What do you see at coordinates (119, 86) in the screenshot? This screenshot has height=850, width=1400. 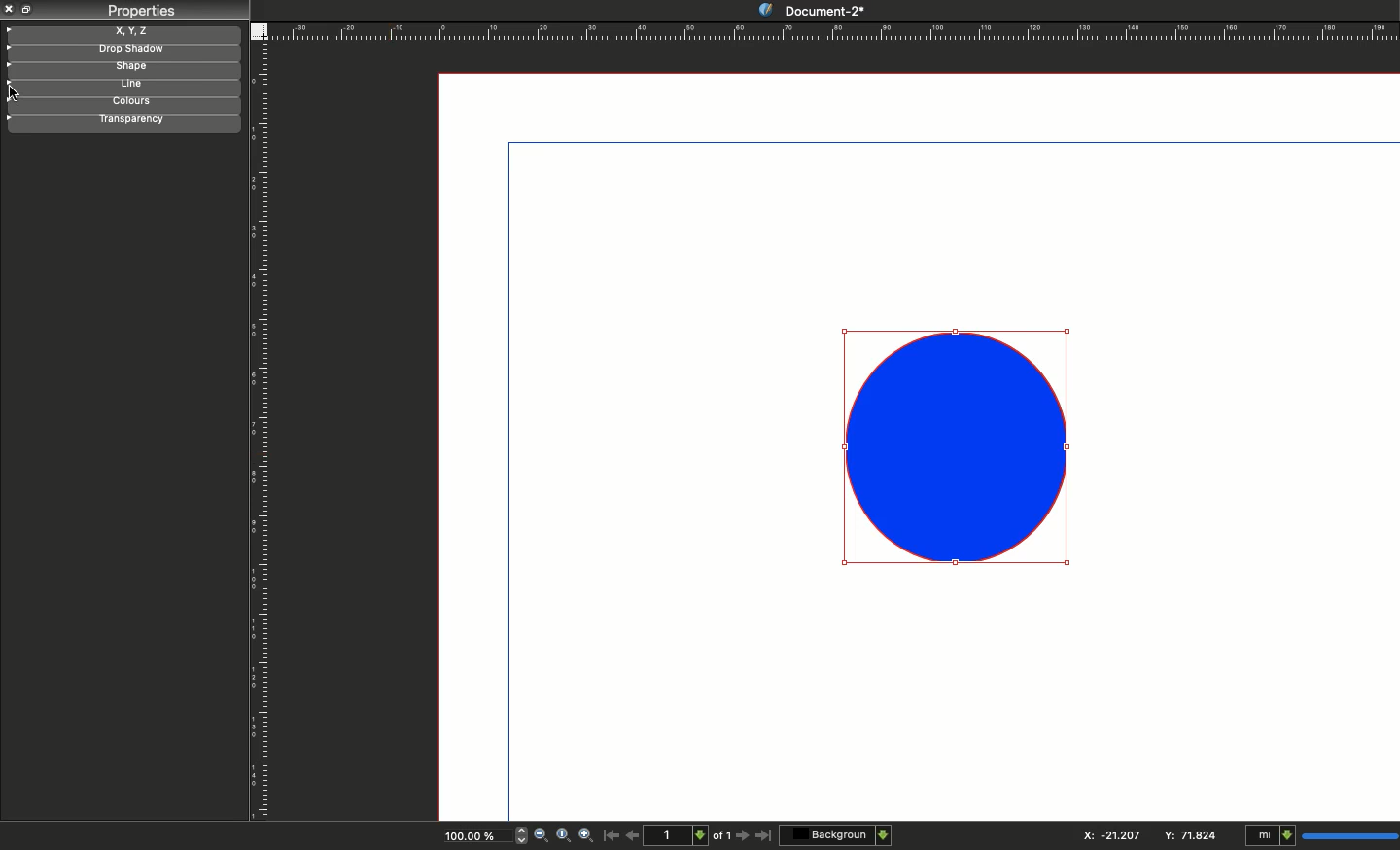 I see `Line` at bounding box center [119, 86].